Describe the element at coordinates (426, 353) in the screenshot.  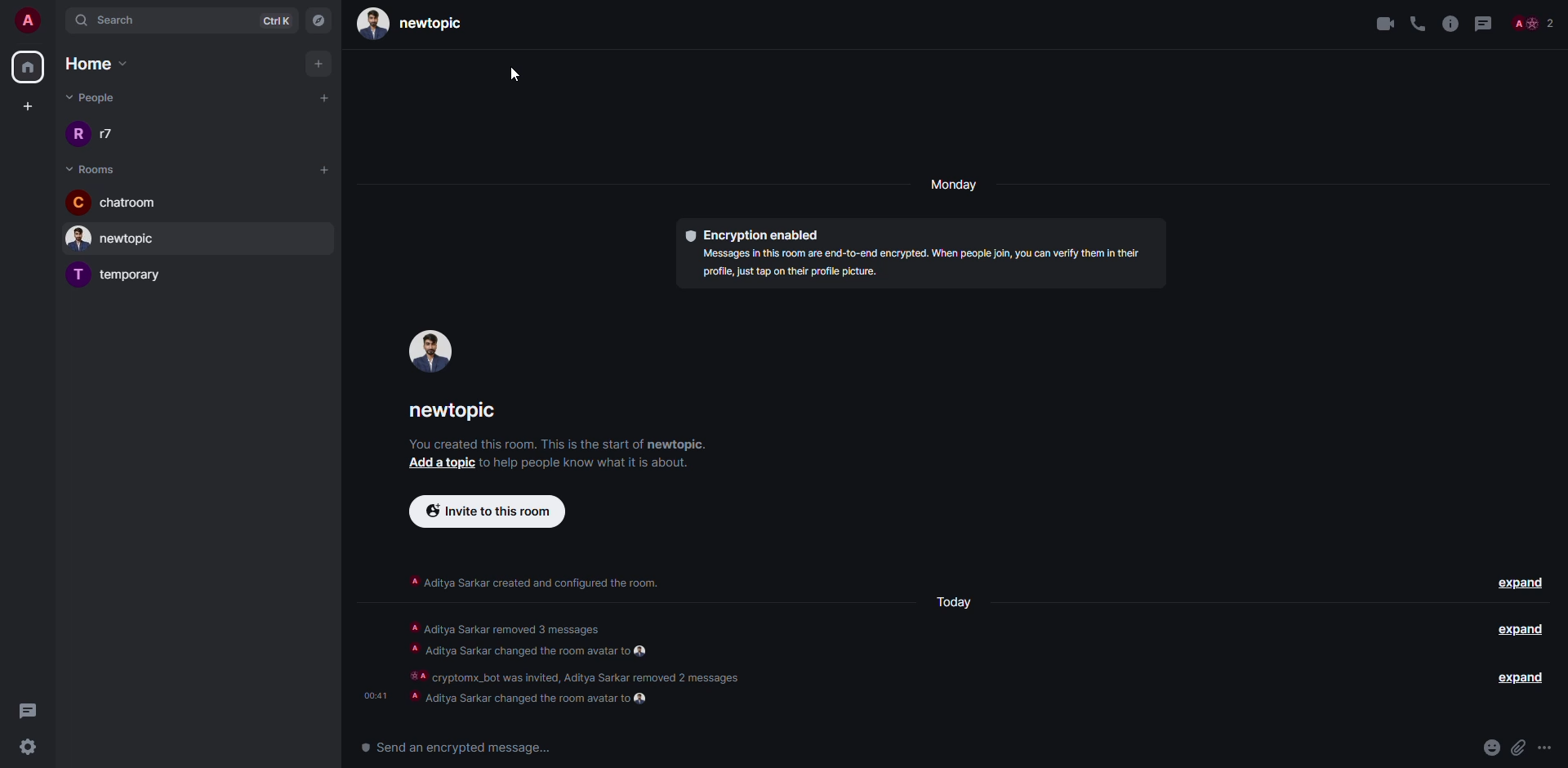
I see `profile` at that location.